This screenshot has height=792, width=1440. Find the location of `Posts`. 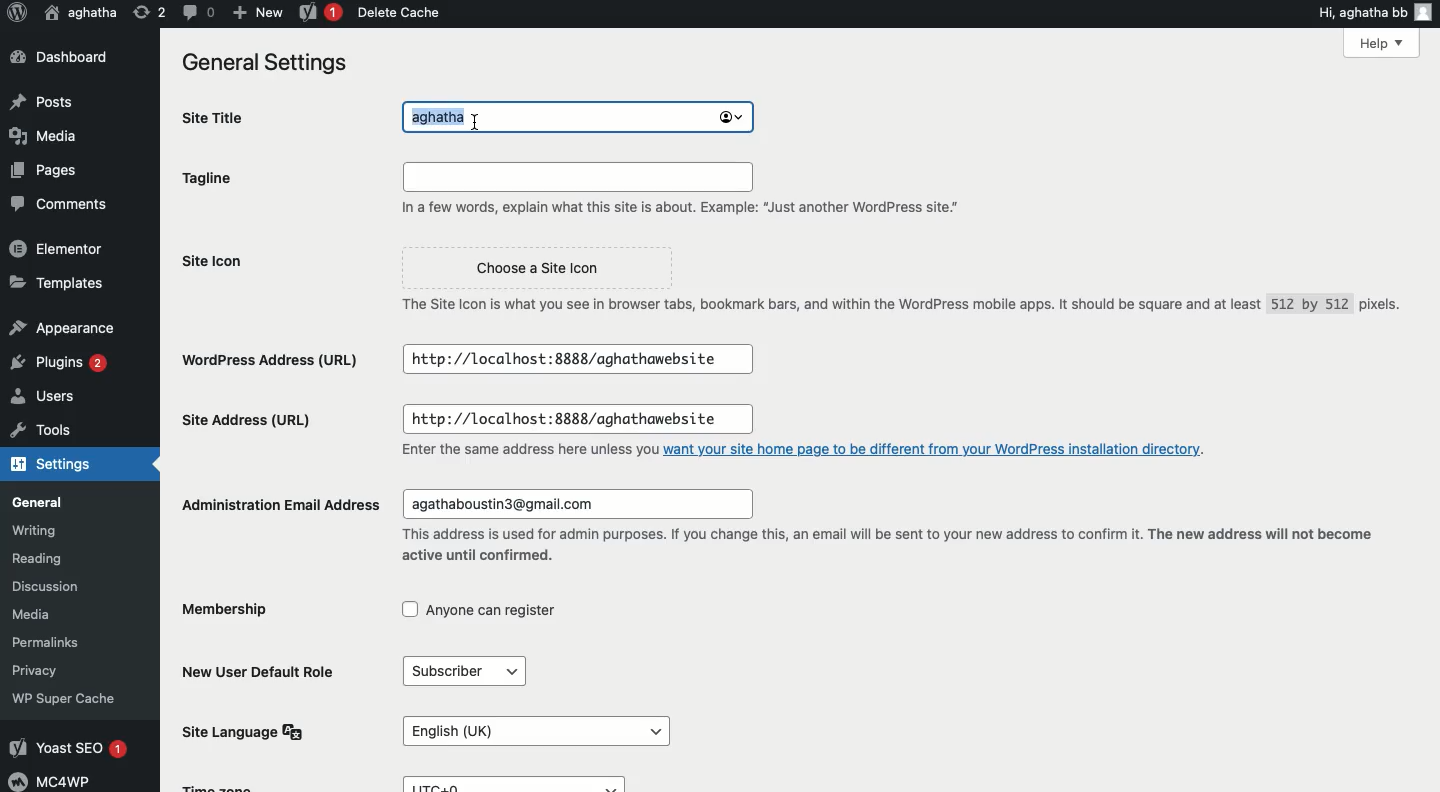

Posts is located at coordinates (42, 101).